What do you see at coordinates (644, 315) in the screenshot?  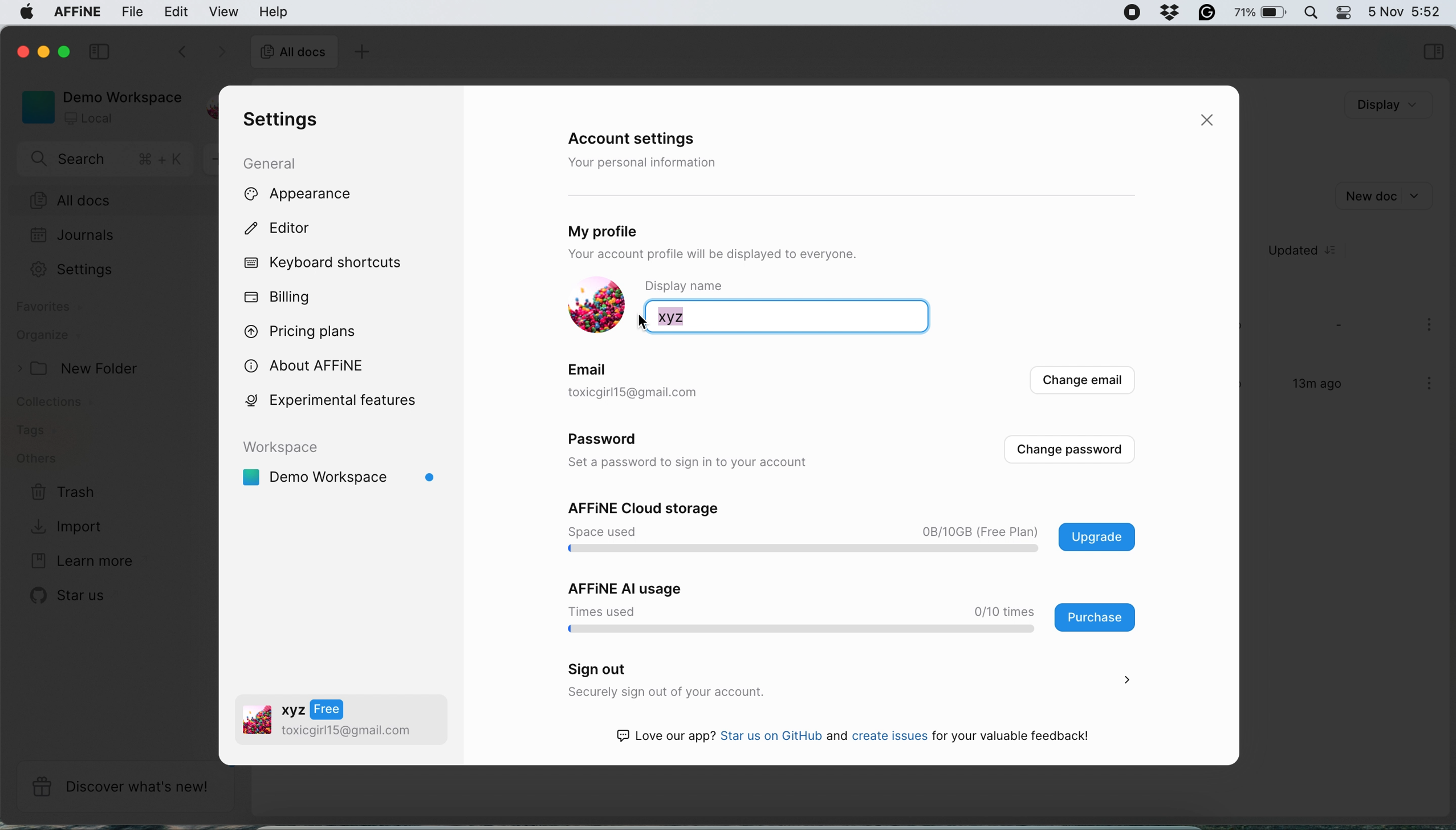 I see `cursor` at bounding box center [644, 315].